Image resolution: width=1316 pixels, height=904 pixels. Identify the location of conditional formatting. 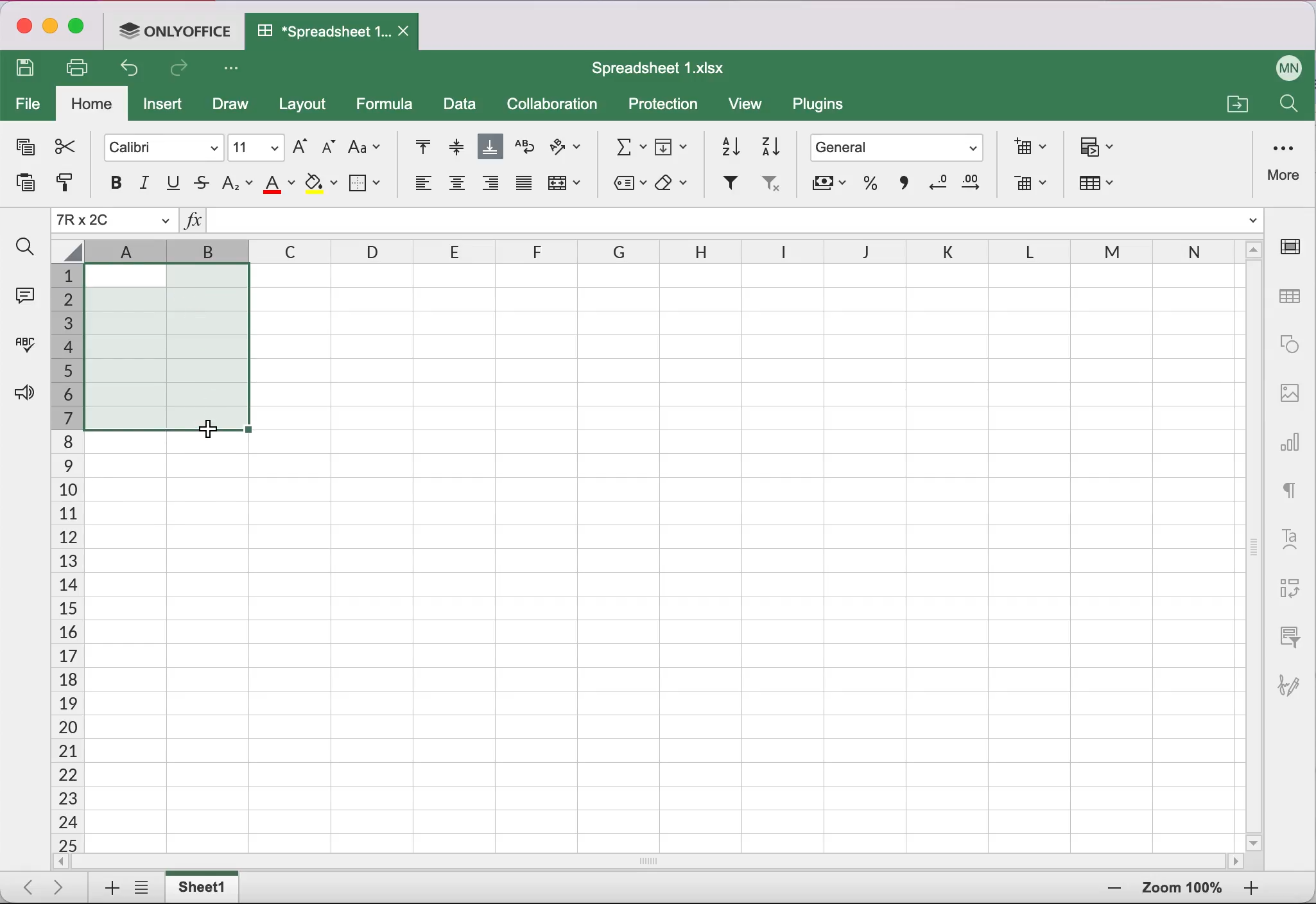
(1099, 148).